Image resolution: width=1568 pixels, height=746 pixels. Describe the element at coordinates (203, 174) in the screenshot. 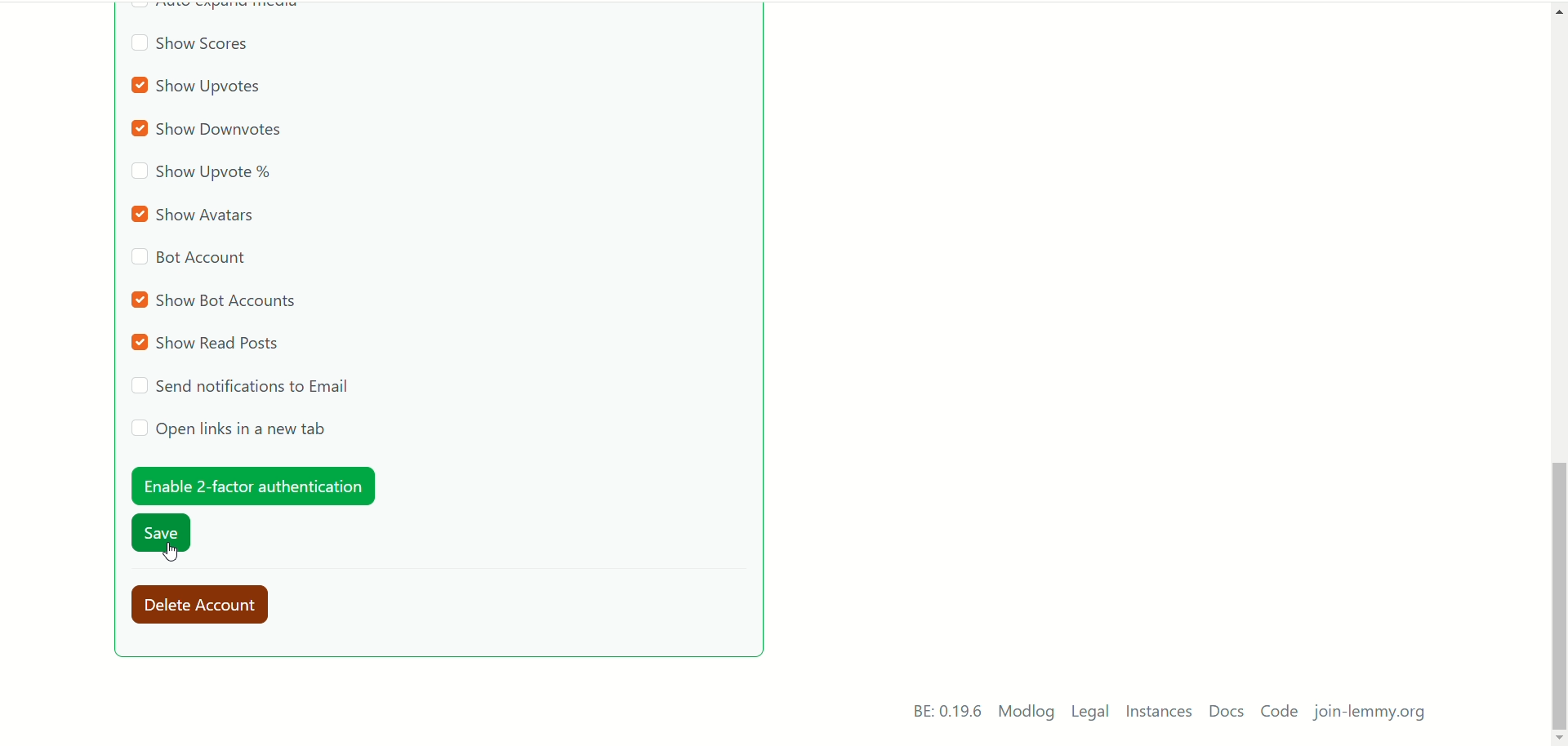

I see `show upvote` at that location.